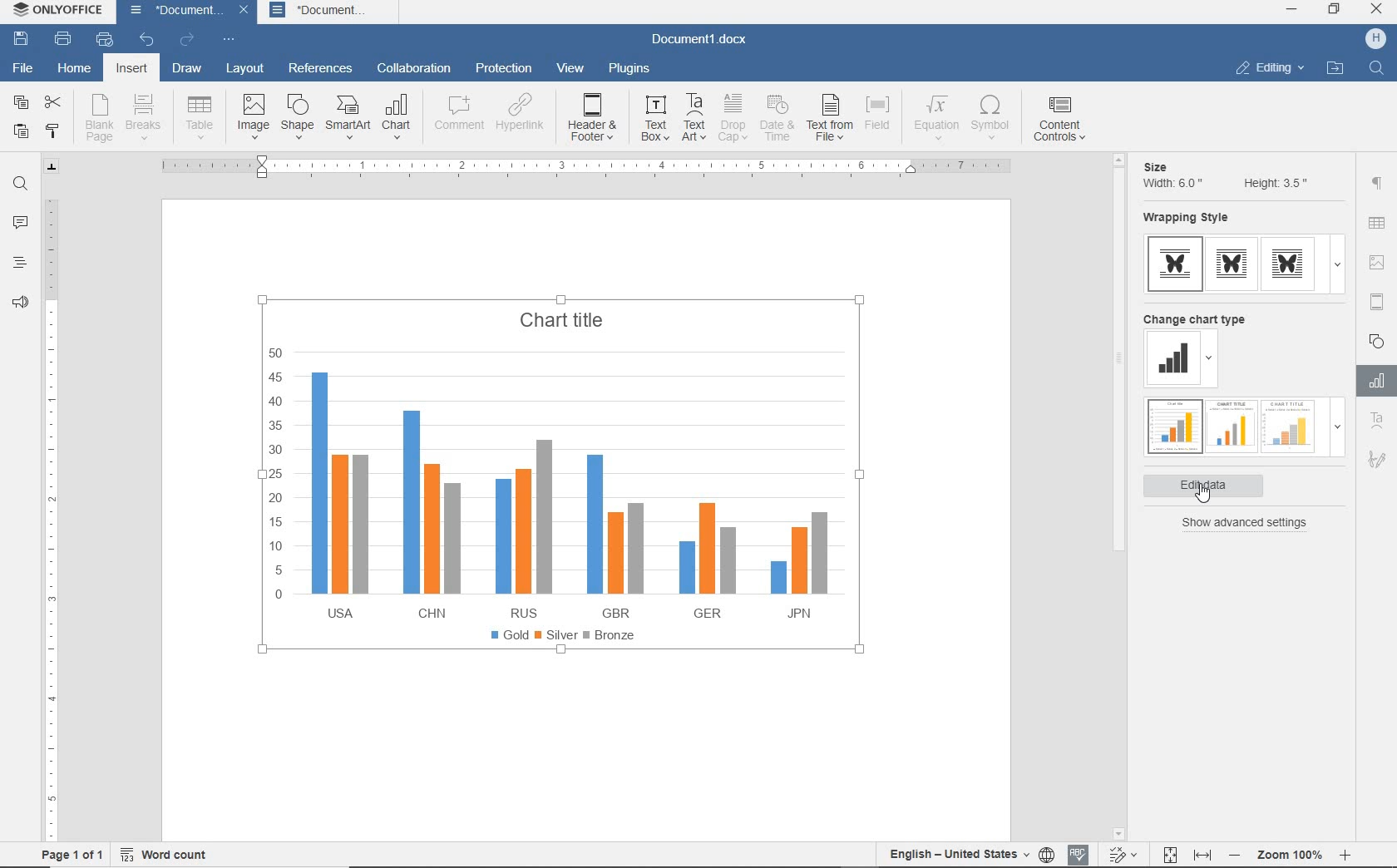  Describe the element at coordinates (1378, 224) in the screenshot. I see `table` at that location.